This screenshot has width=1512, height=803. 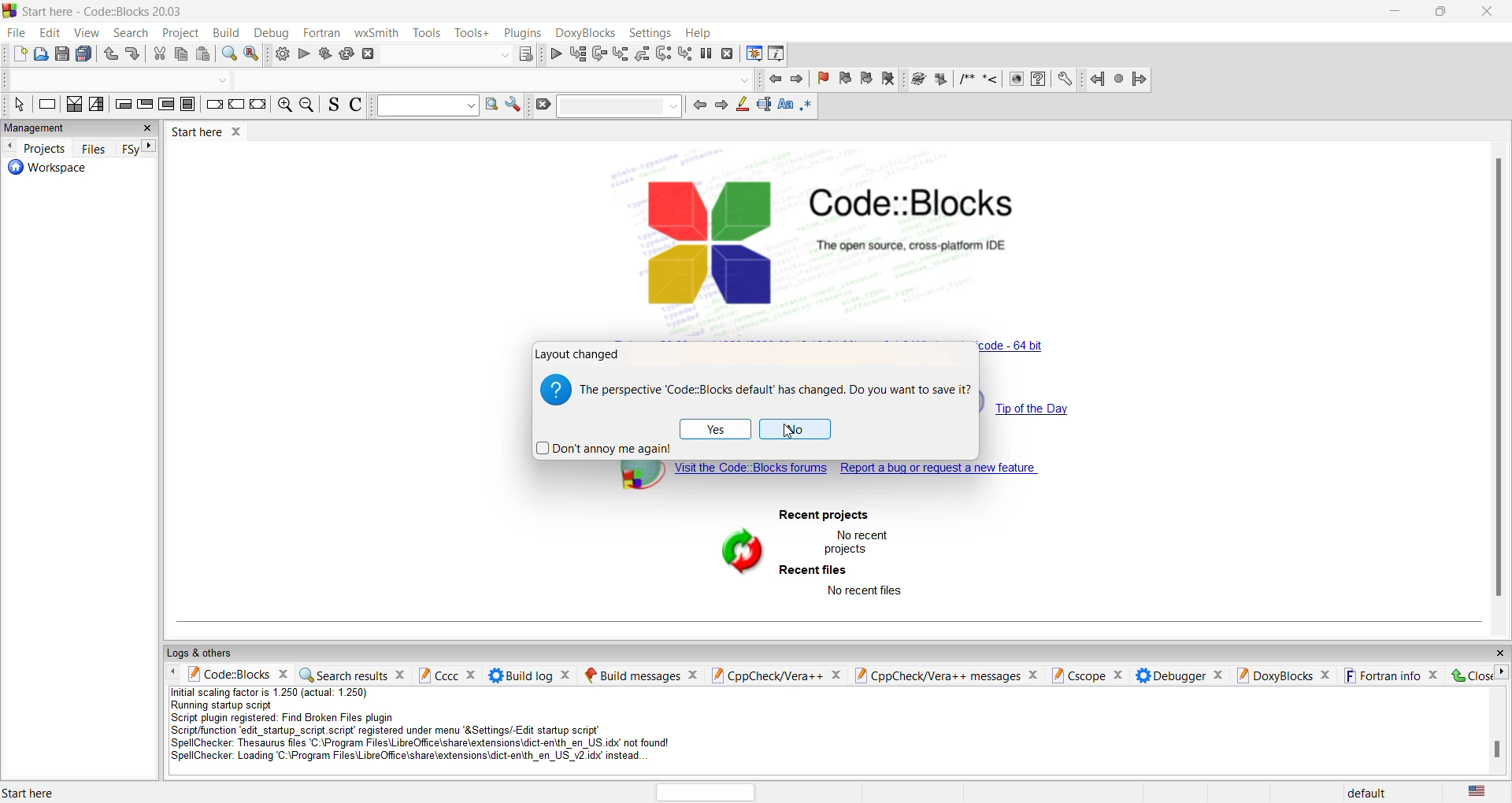 I want to click on Doxyblocks, so click(x=1284, y=675).